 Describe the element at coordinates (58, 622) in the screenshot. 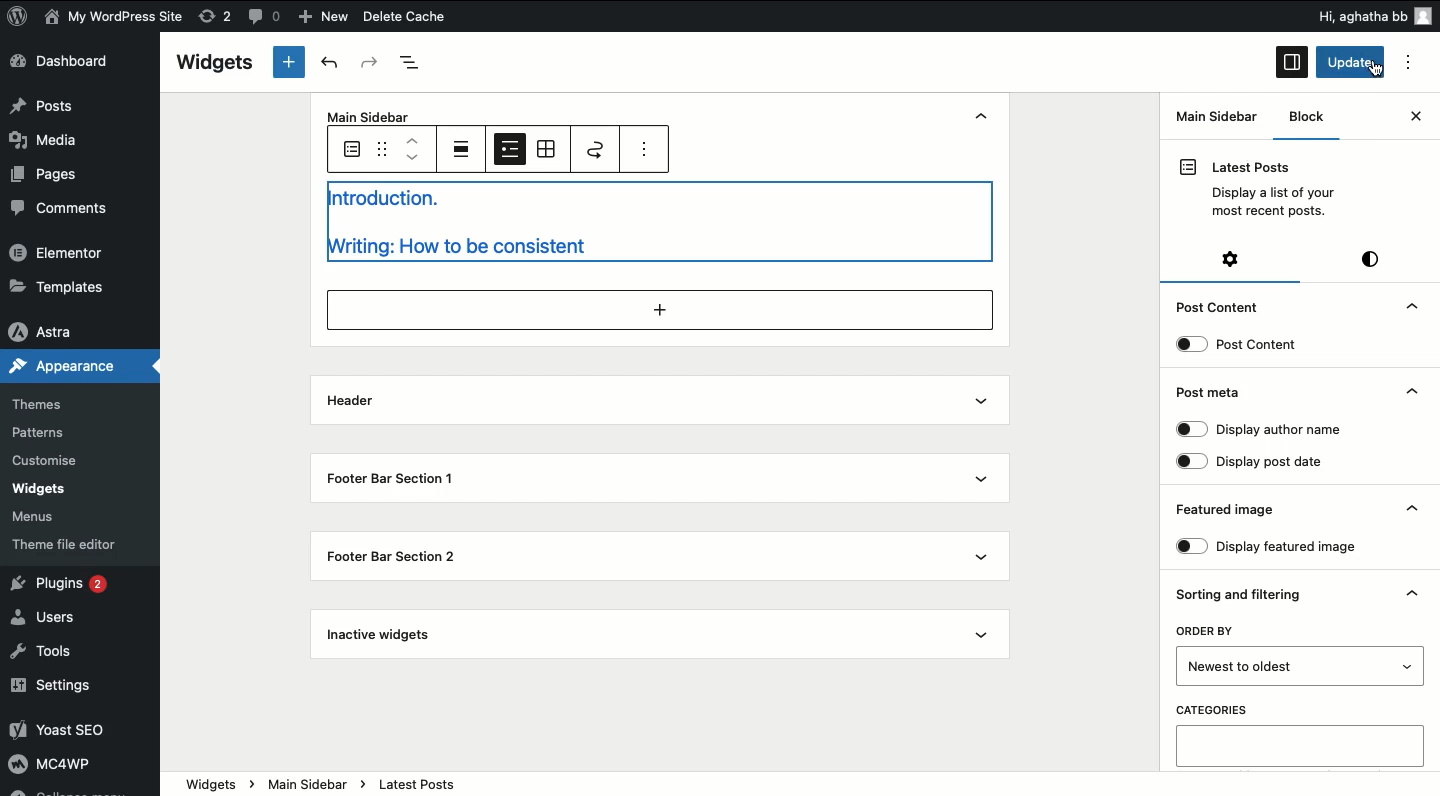

I see `Users` at that location.